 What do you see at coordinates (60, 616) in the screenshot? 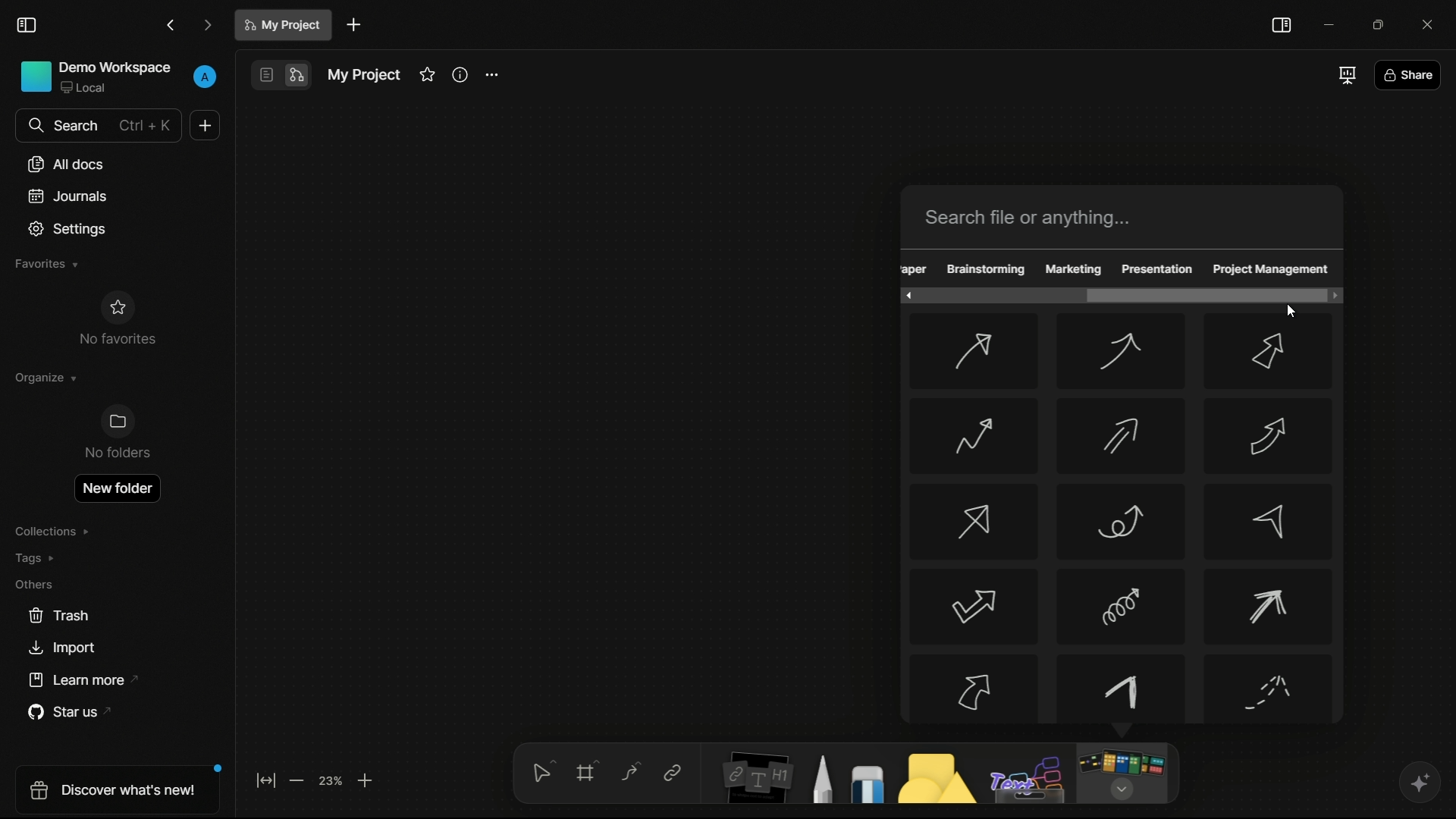
I see `trash` at bounding box center [60, 616].